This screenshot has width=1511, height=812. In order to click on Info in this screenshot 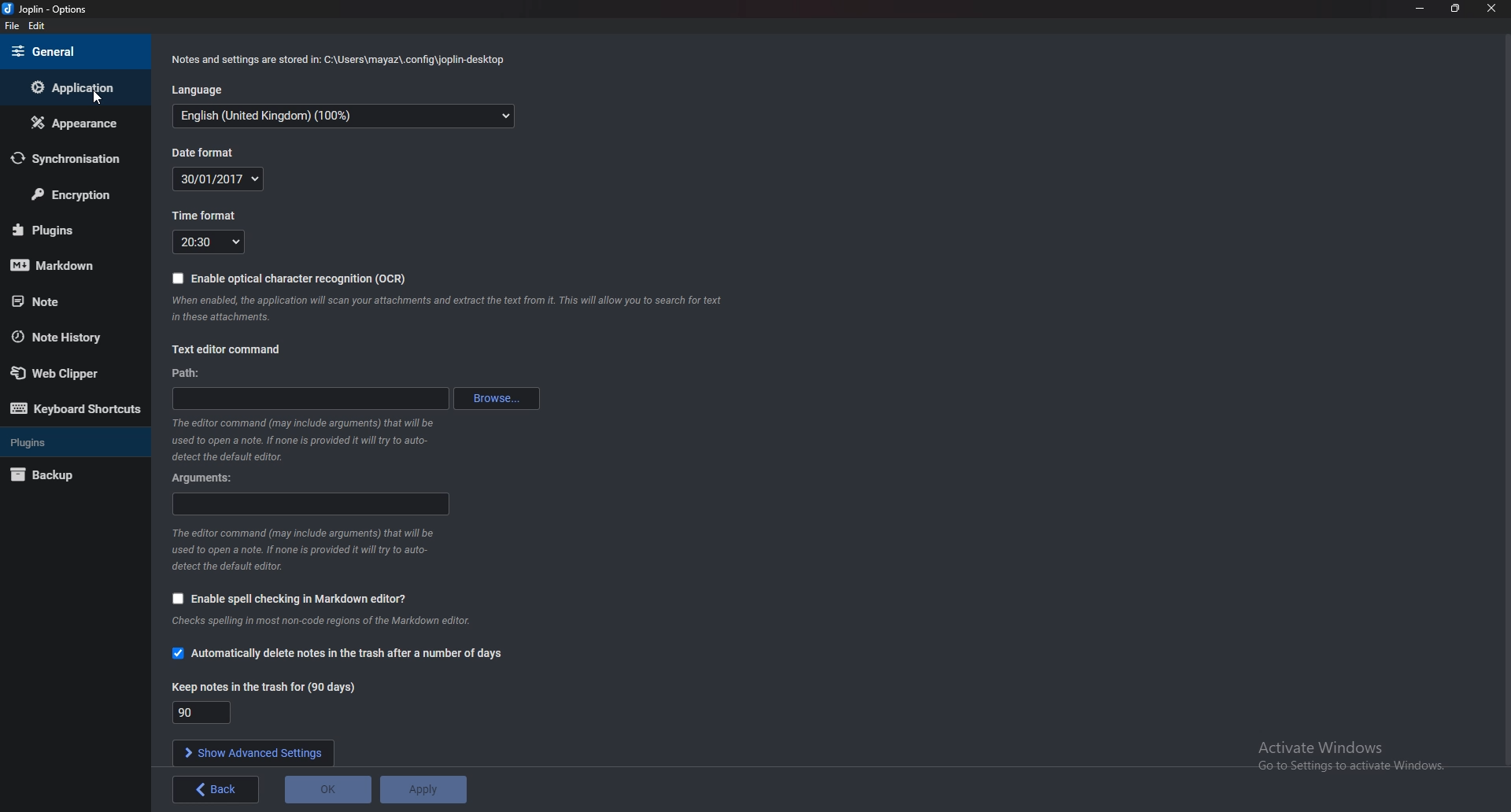, I will do `click(342, 61)`.